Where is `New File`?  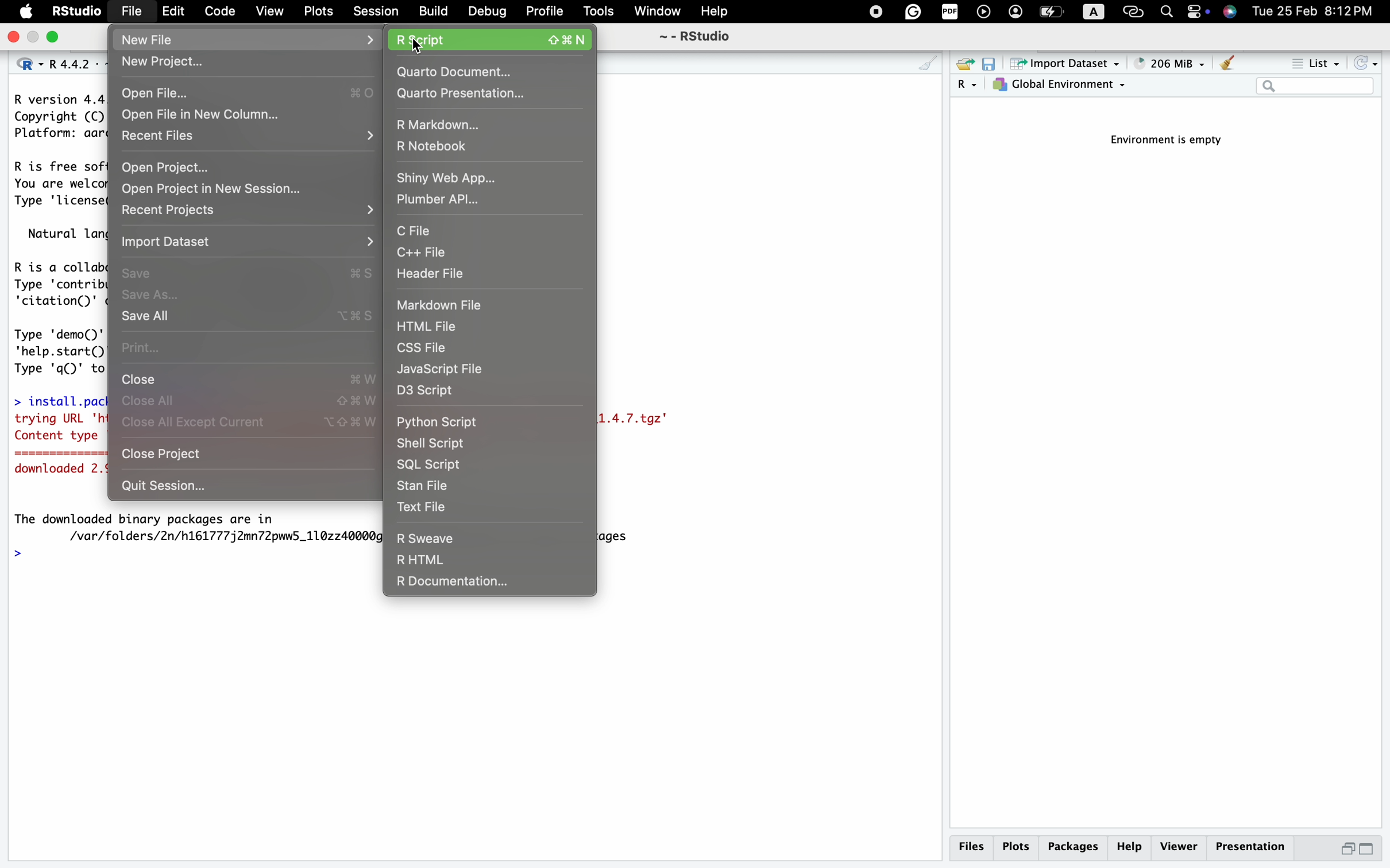
New File is located at coordinates (250, 38).